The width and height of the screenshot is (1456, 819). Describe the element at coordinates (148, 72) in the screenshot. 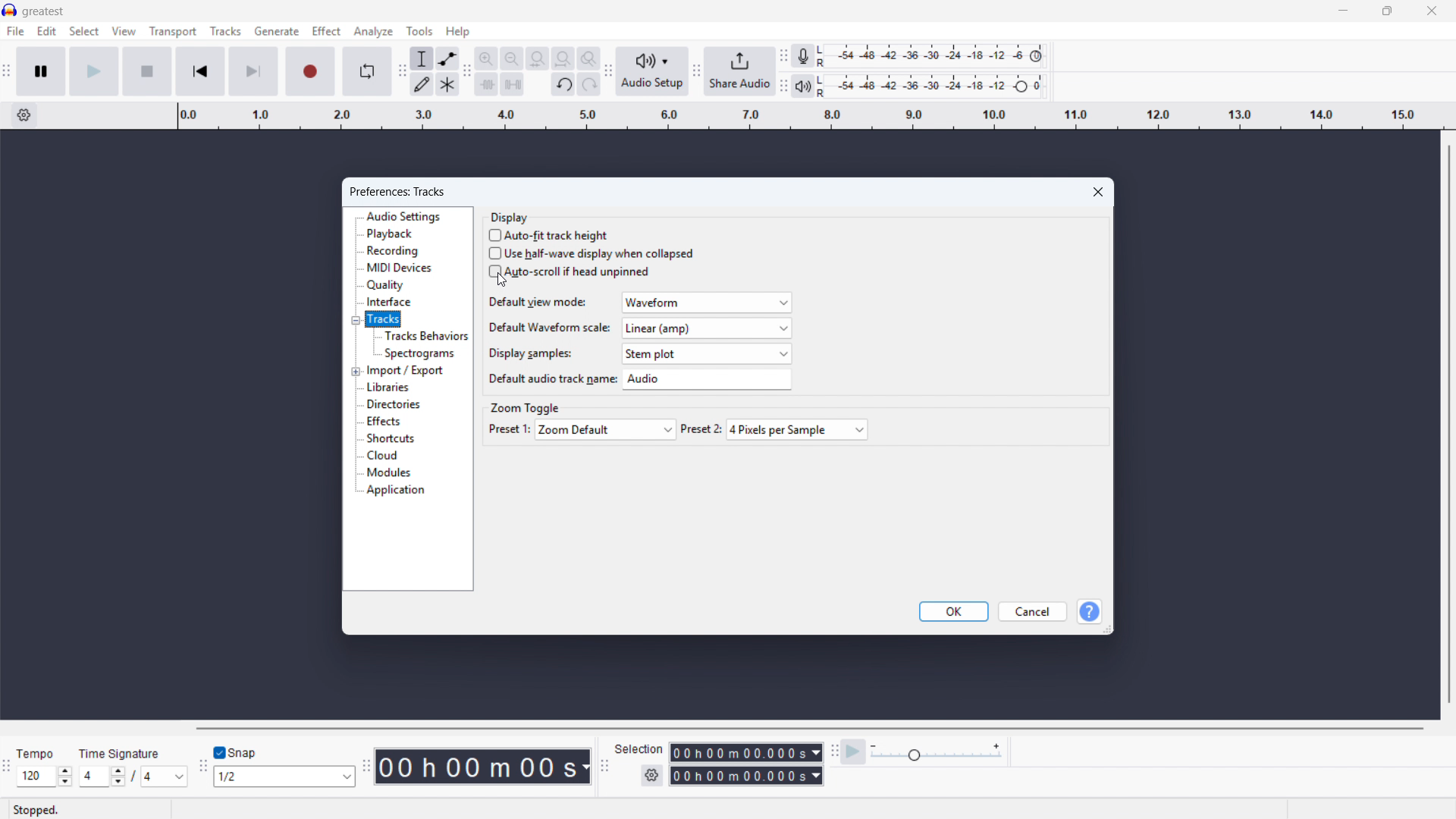

I see `stop ` at that location.